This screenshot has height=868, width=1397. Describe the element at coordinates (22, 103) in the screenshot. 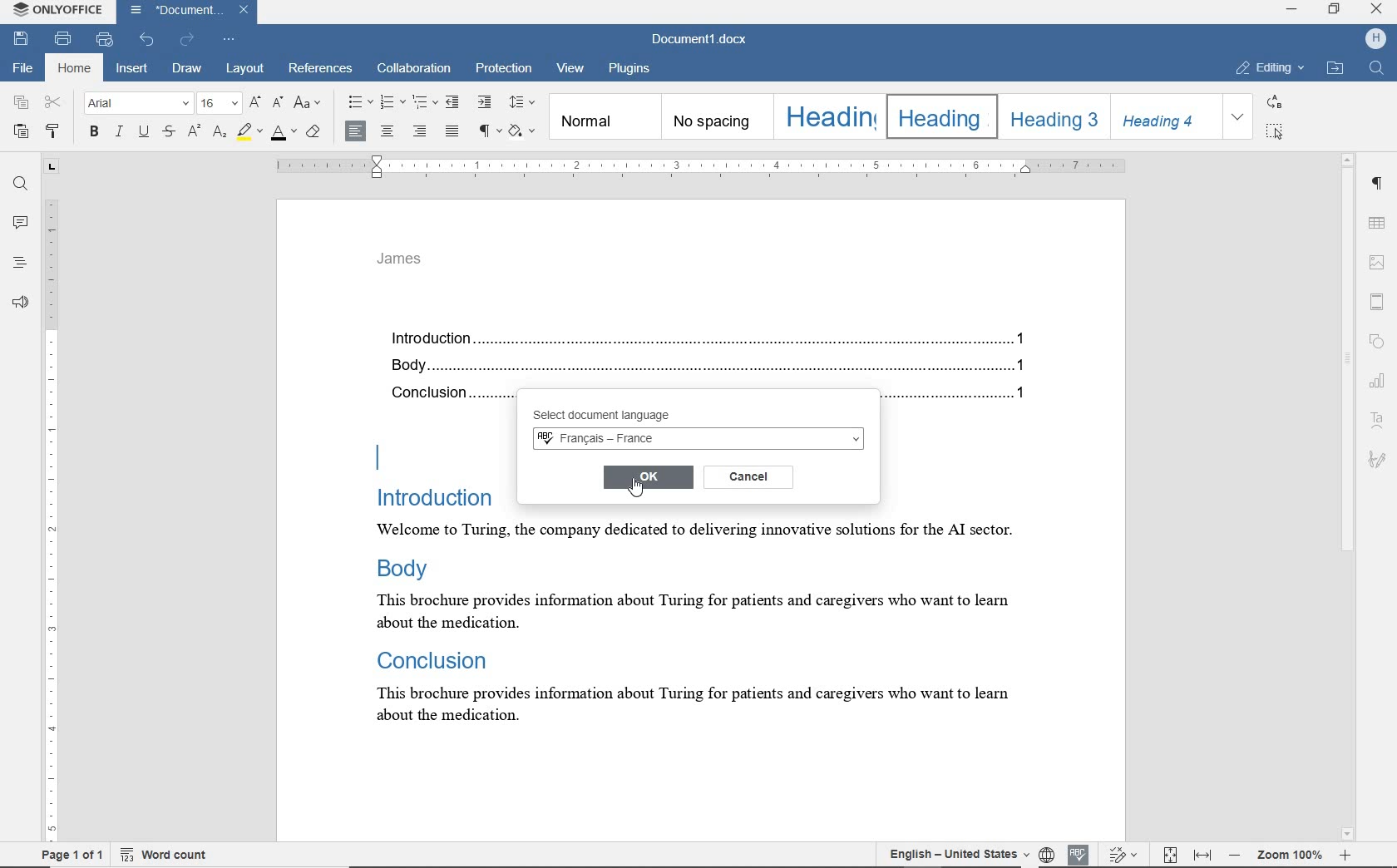

I see `copy` at that location.